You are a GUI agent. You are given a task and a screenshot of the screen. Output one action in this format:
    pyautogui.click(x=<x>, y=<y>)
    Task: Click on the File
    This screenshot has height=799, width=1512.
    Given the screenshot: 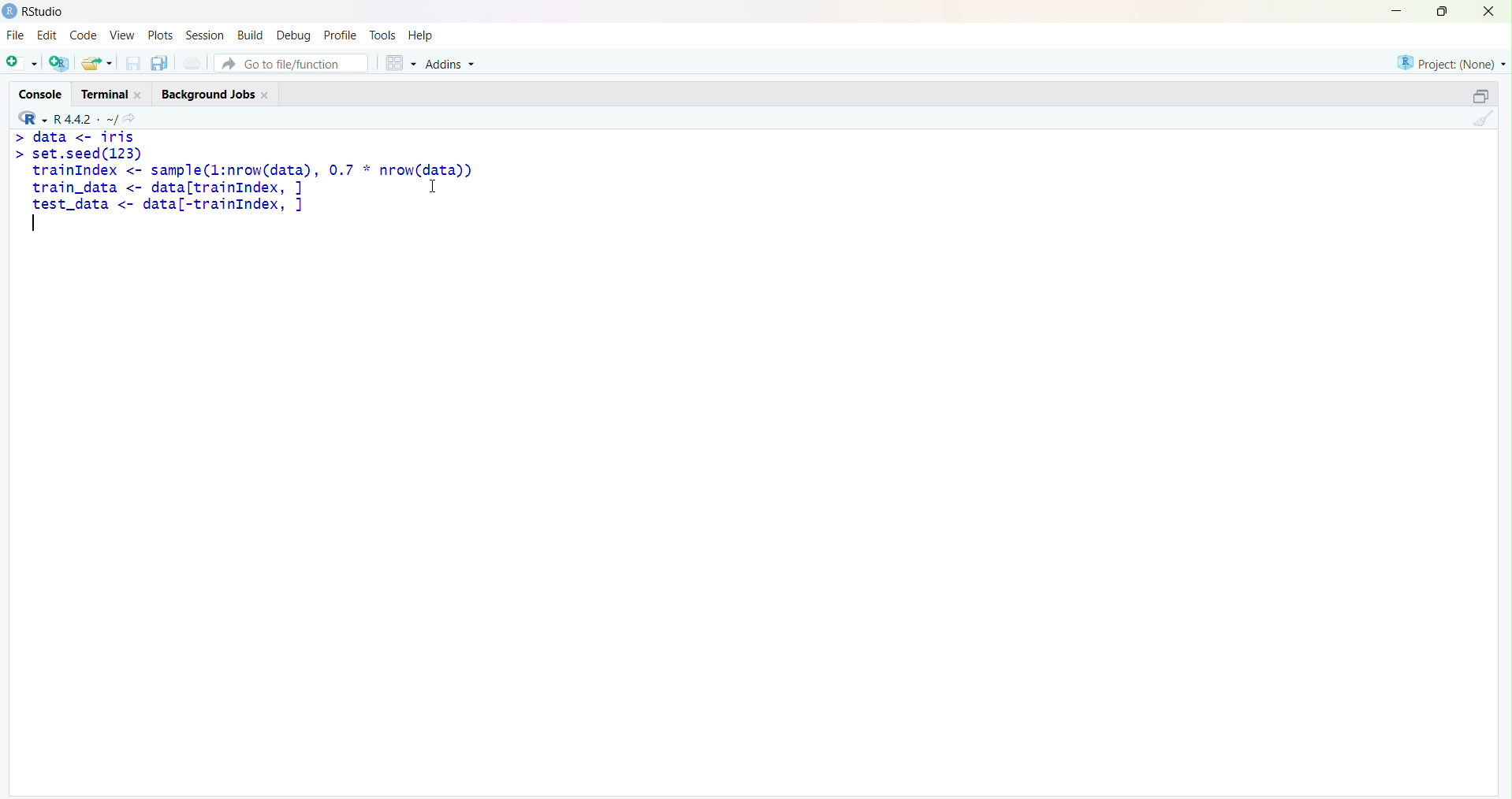 What is the action you would take?
    pyautogui.click(x=15, y=35)
    